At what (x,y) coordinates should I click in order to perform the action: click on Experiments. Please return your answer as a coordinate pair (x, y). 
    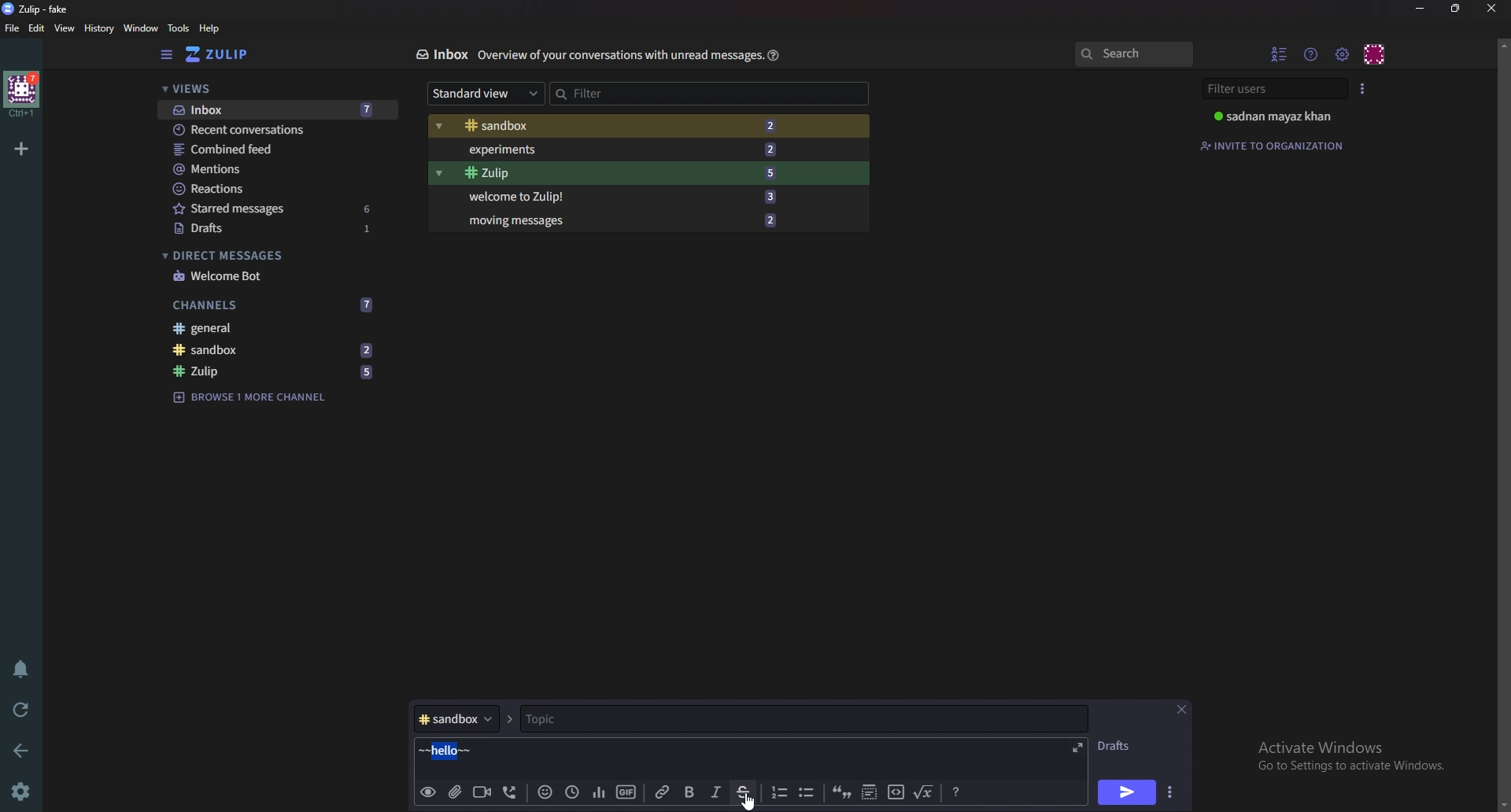
    Looking at the image, I should click on (617, 149).